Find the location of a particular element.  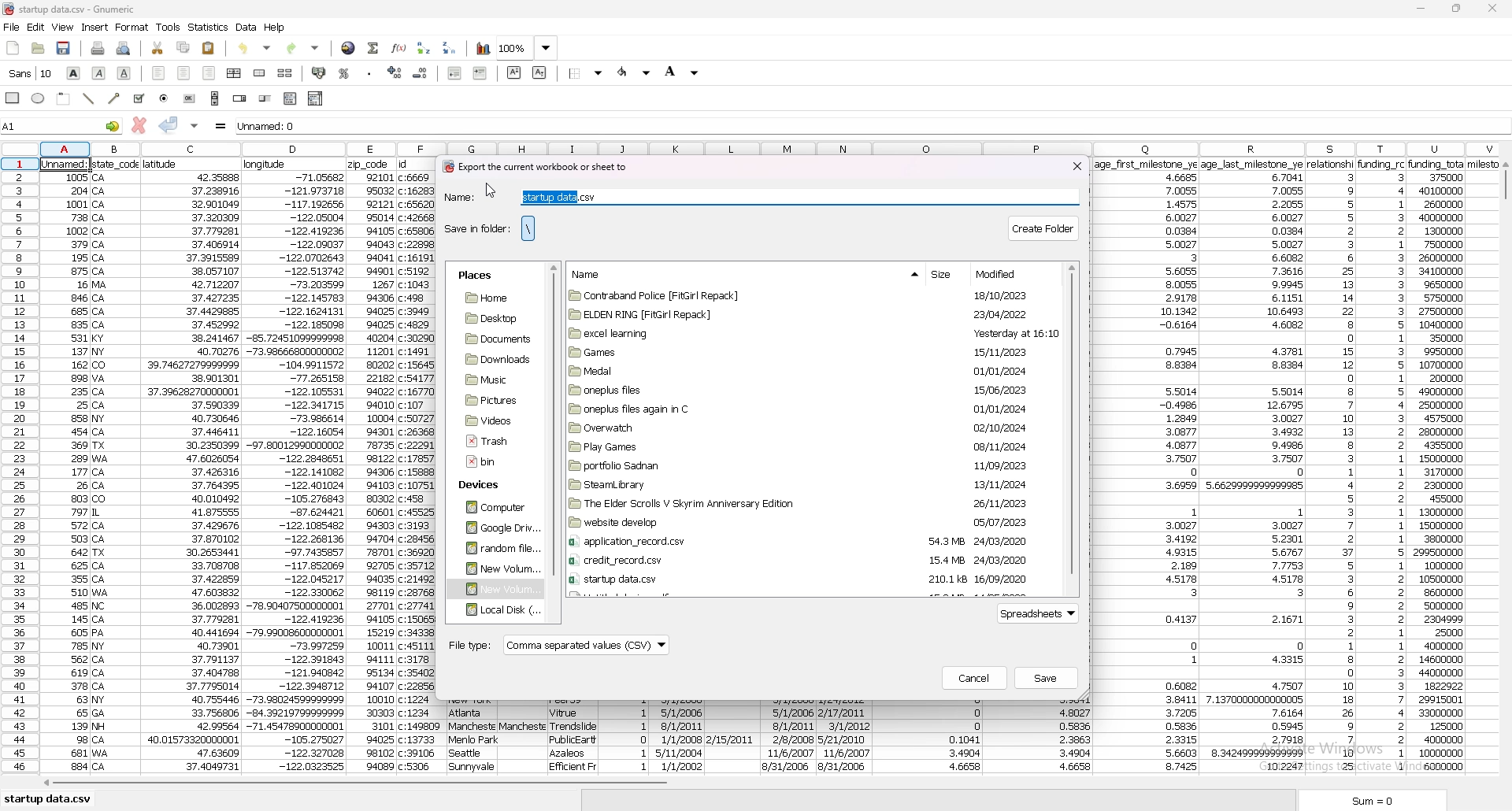

edit is located at coordinates (36, 28).